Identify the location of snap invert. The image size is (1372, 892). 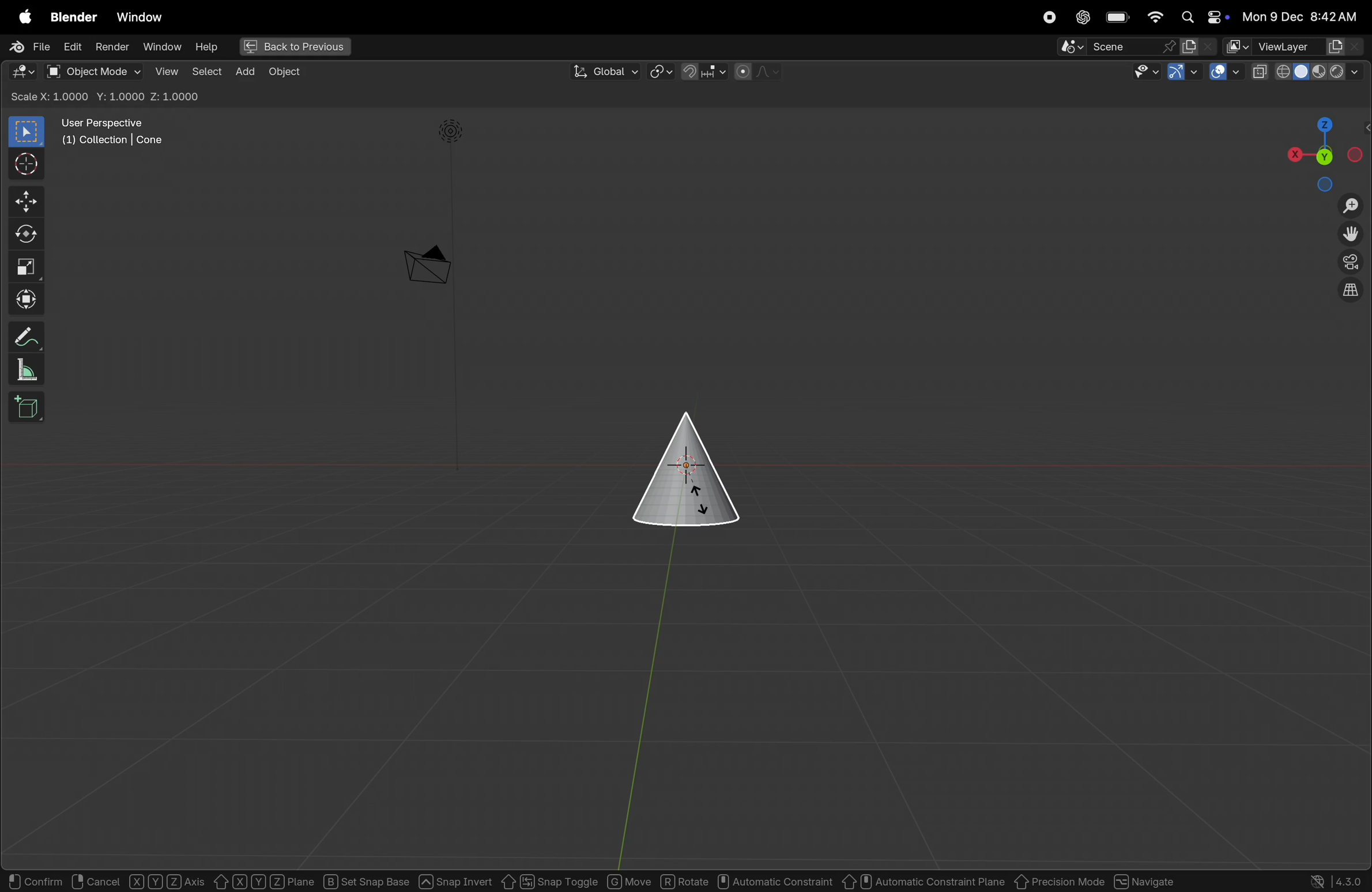
(457, 880).